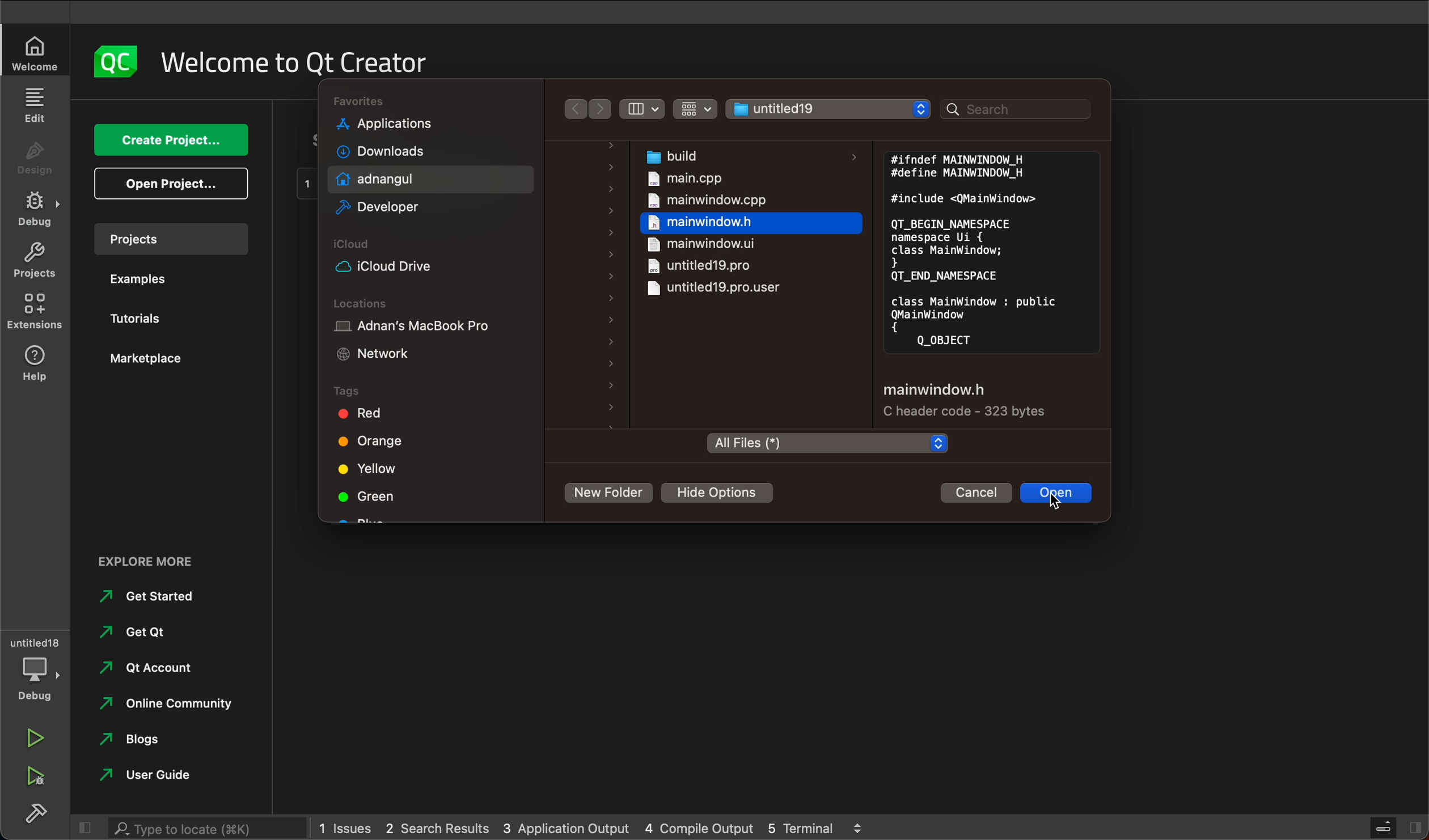 The height and width of the screenshot is (840, 1429). Describe the element at coordinates (40, 680) in the screenshot. I see `debug` at that location.